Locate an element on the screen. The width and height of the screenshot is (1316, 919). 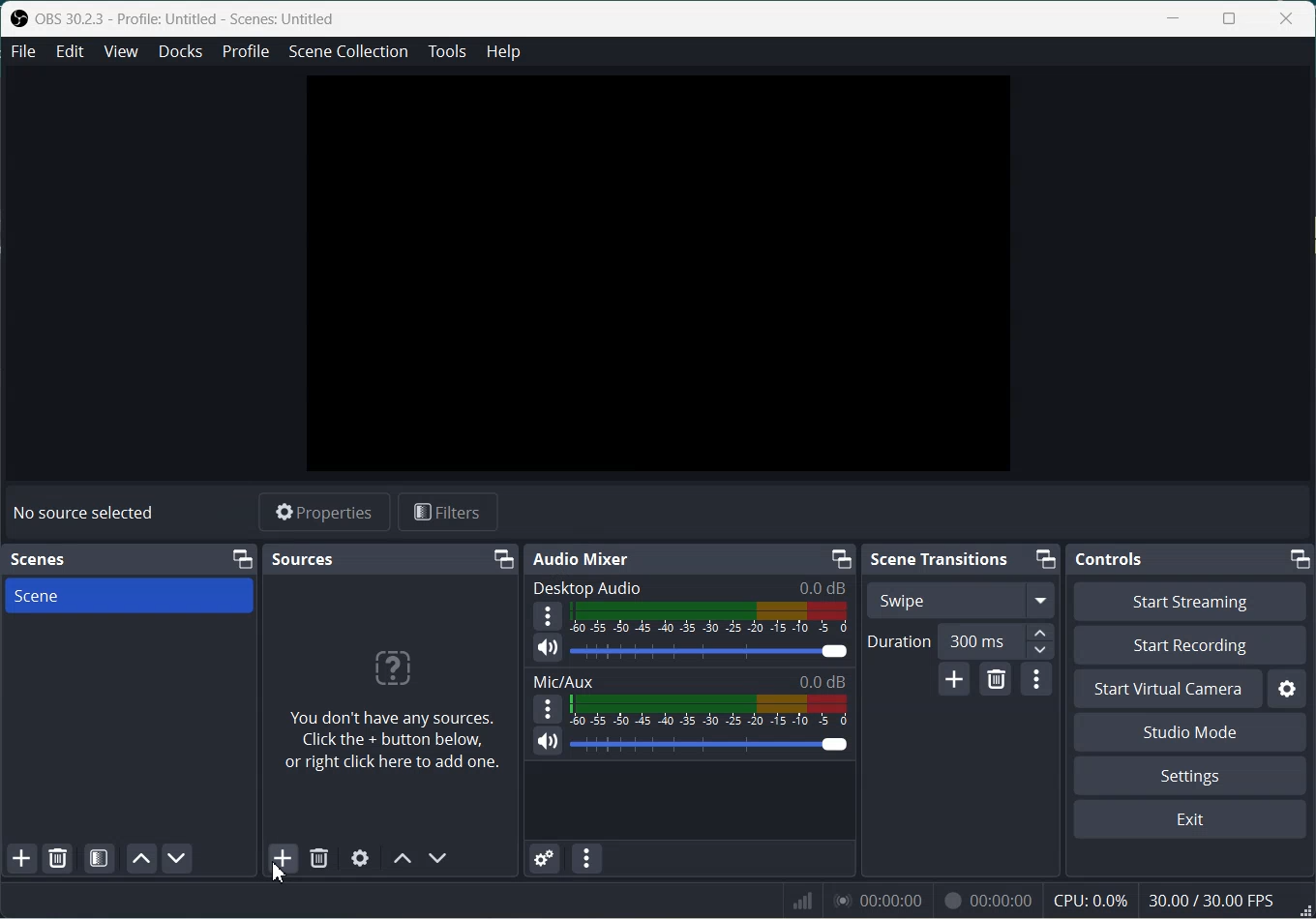
Minimize is located at coordinates (504, 560).